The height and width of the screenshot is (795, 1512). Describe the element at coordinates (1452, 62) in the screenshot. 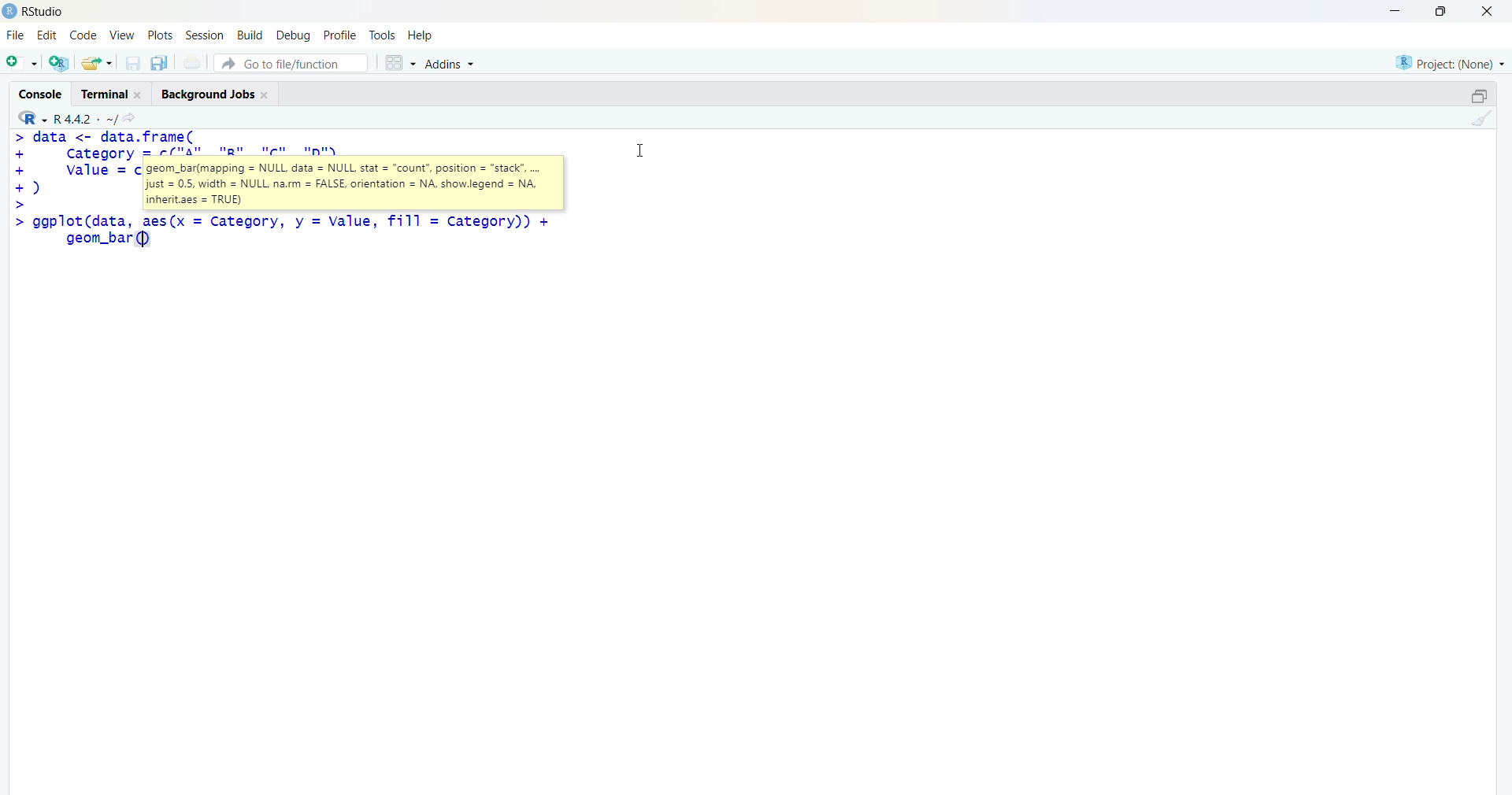

I see `selected project - none` at that location.